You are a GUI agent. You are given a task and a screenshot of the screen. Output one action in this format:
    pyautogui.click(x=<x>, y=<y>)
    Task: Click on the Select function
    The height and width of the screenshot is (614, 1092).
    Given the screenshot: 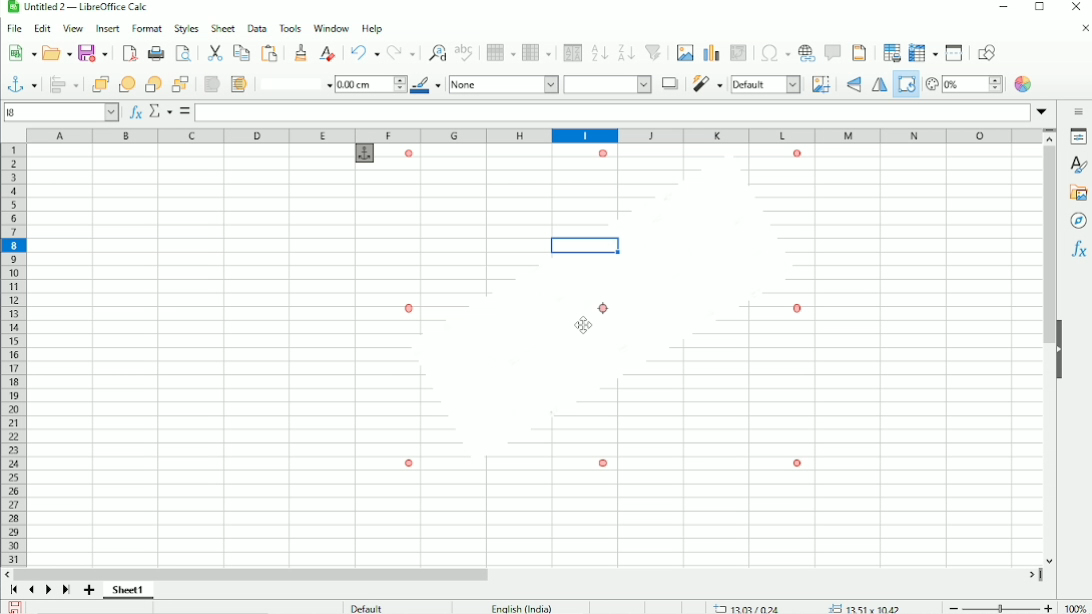 What is the action you would take?
    pyautogui.click(x=159, y=111)
    